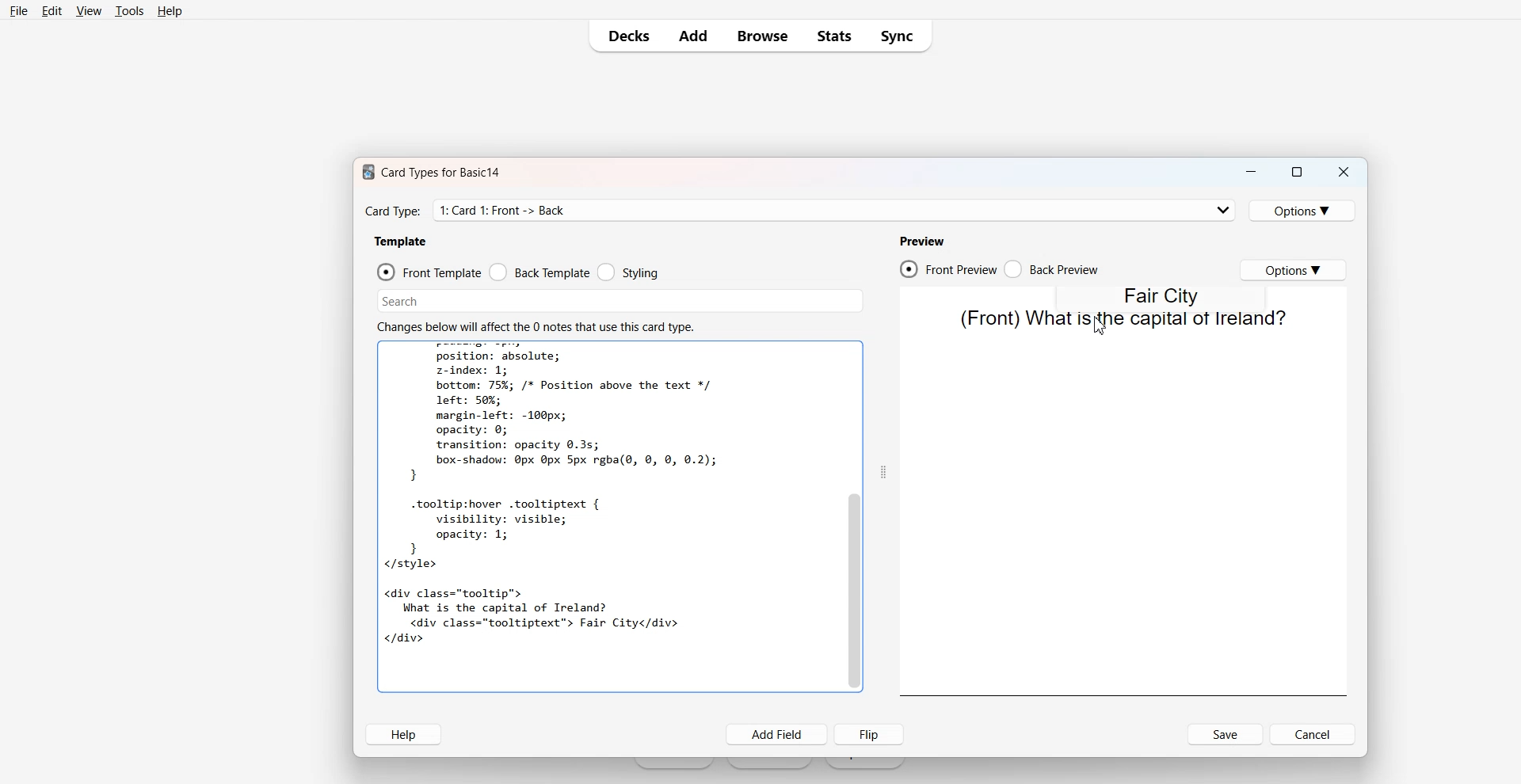 This screenshot has height=784, width=1521. I want to click on Import File, so click(865, 764).